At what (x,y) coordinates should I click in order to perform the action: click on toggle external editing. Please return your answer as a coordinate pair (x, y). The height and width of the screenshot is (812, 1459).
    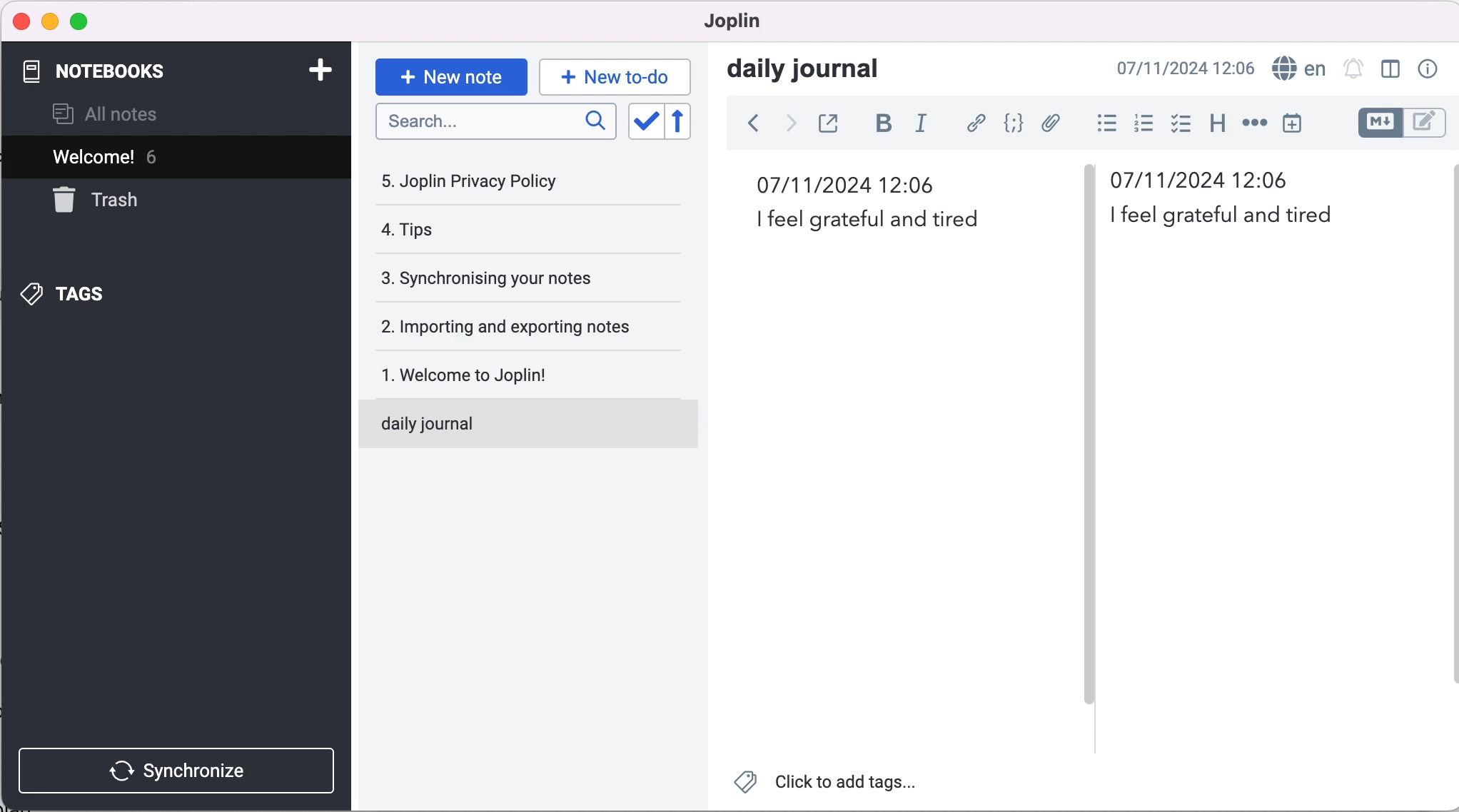
    Looking at the image, I should click on (832, 123).